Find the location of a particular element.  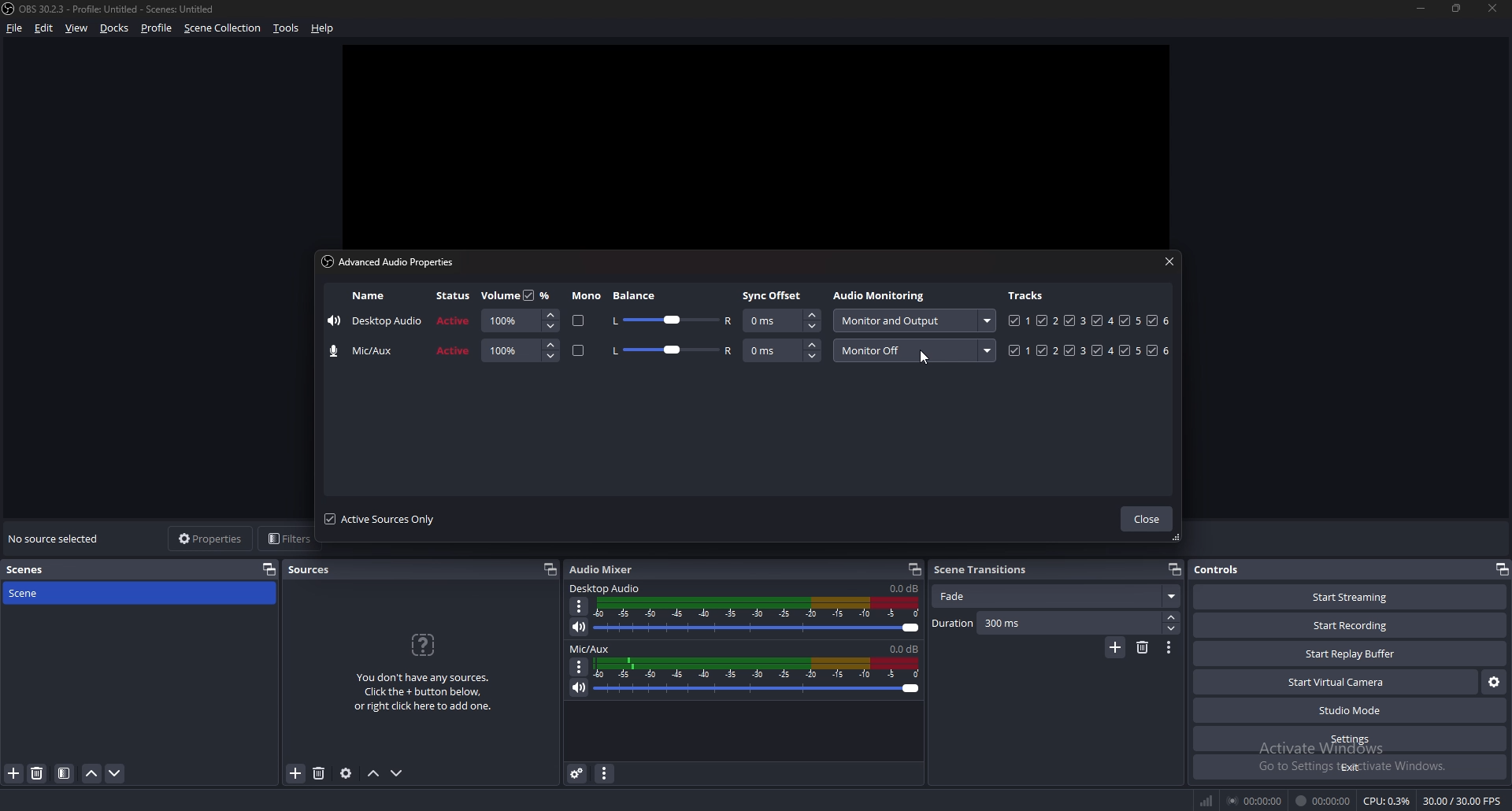

file is located at coordinates (15, 28).